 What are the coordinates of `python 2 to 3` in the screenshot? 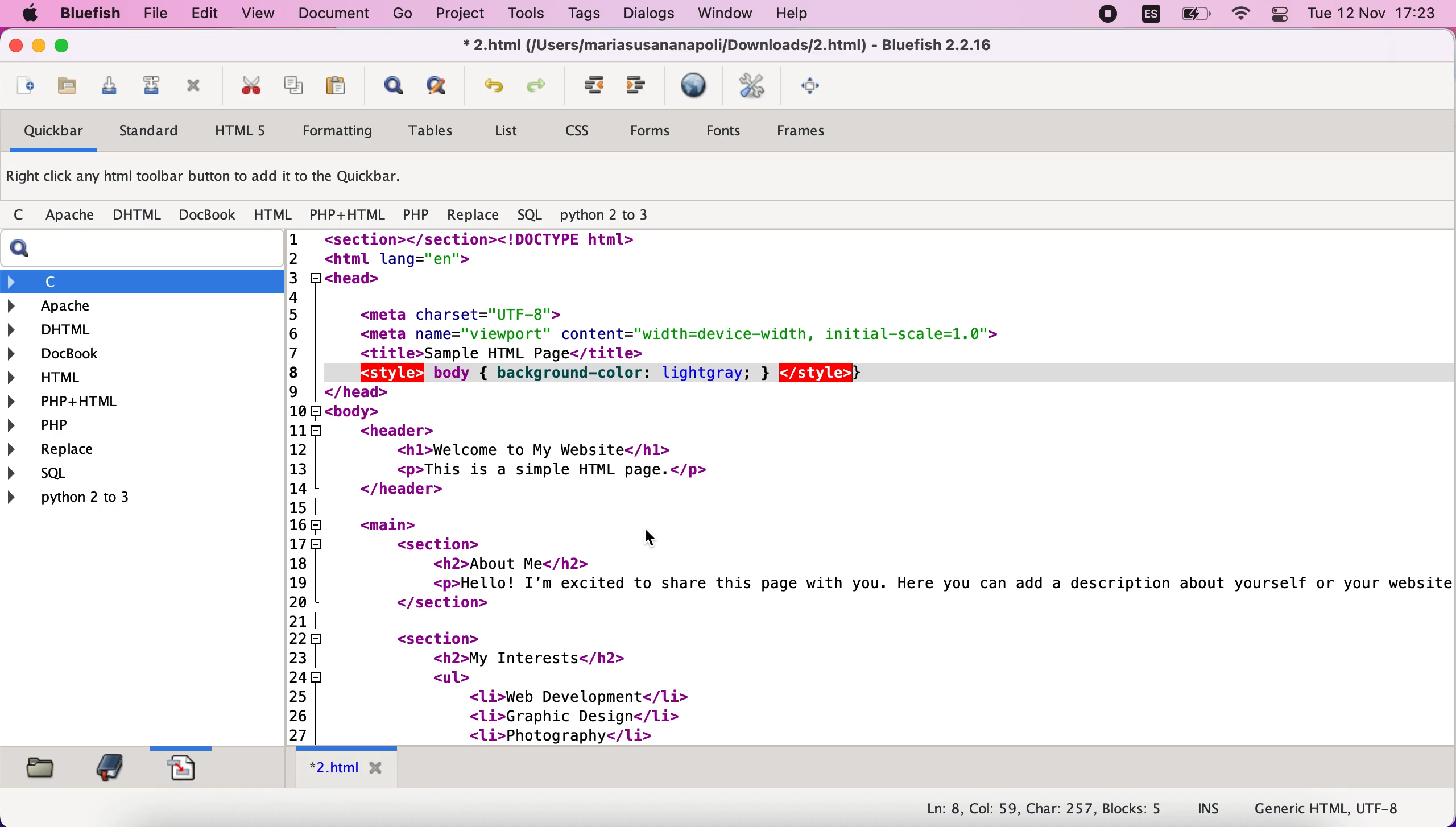 It's located at (121, 500).